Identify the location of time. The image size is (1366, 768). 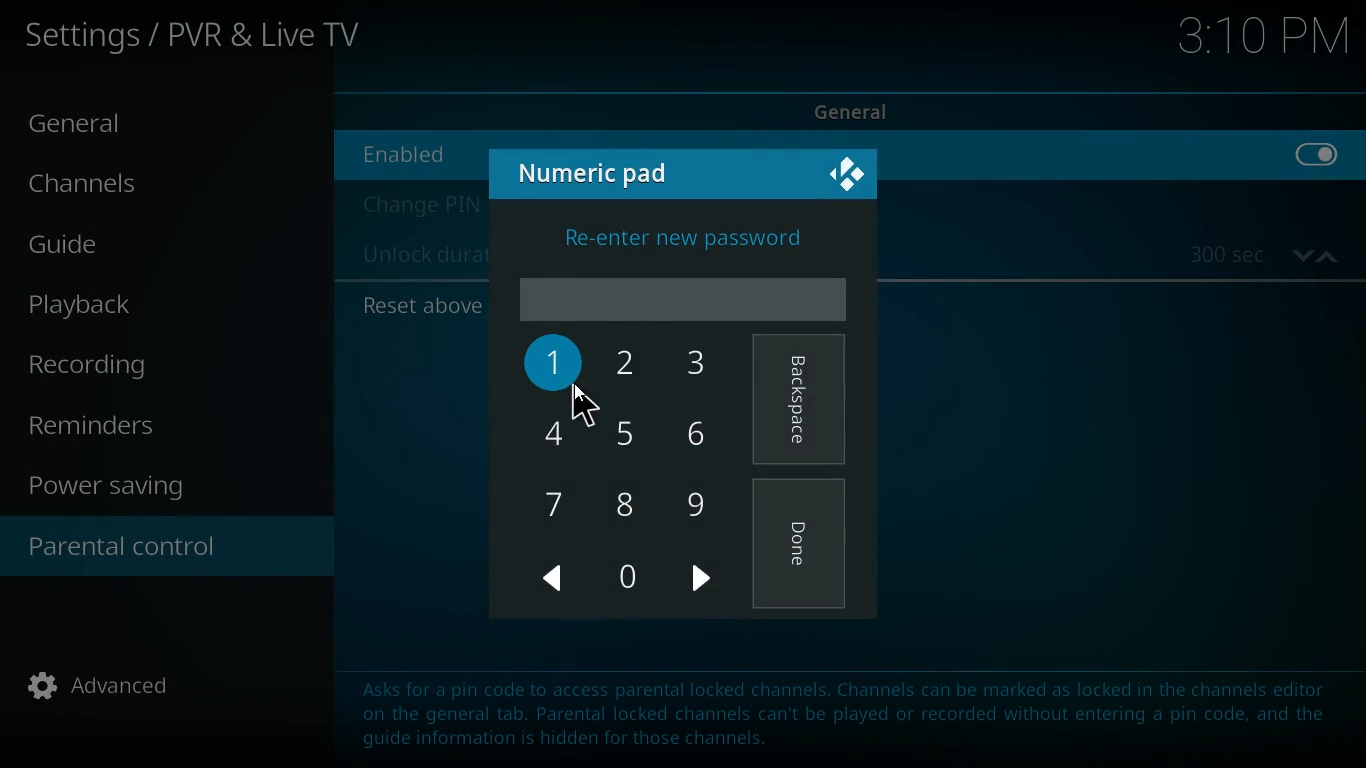
(1263, 40).